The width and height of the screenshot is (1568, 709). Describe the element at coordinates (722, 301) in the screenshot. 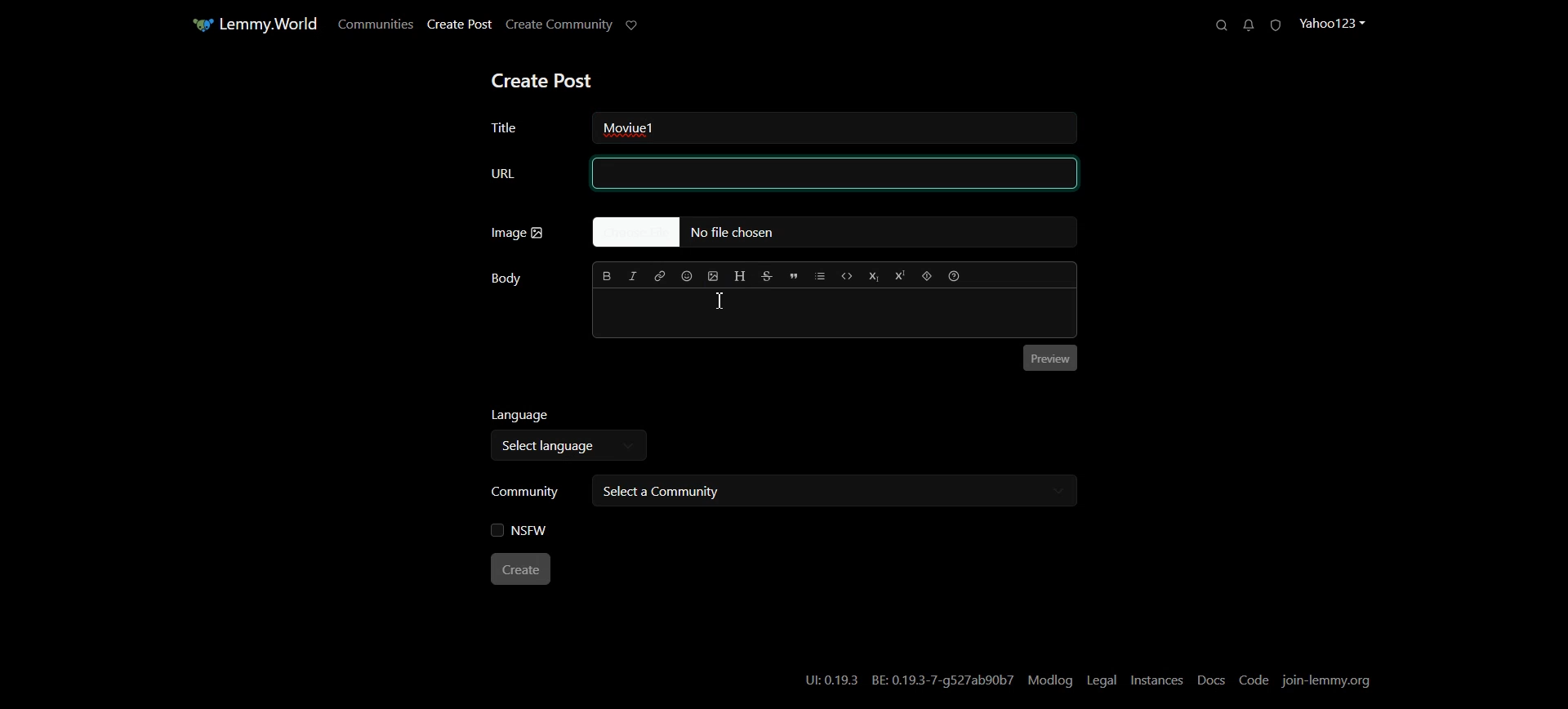

I see `Text Cursor` at that location.